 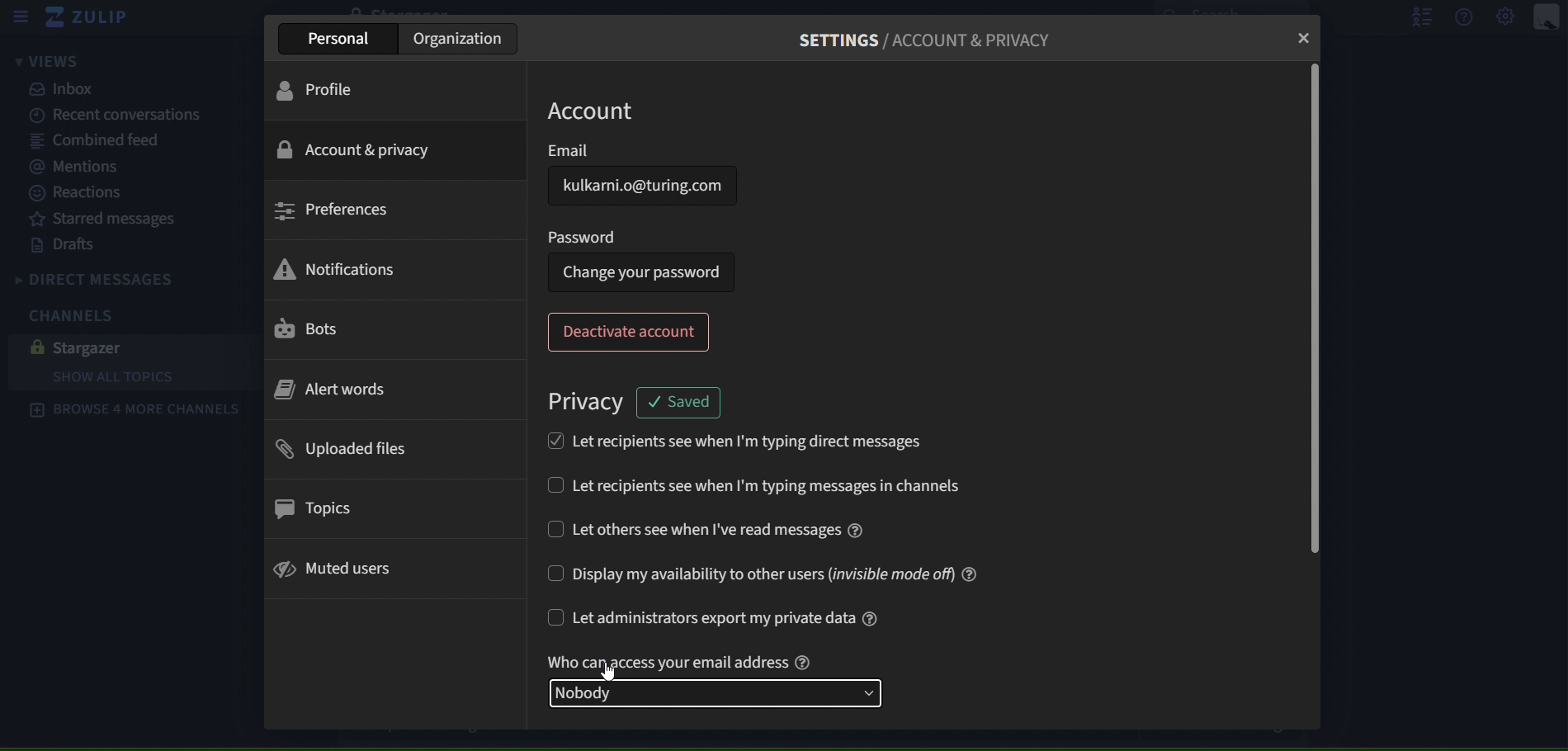 I want to click on zulip, so click(x=93, y=21).